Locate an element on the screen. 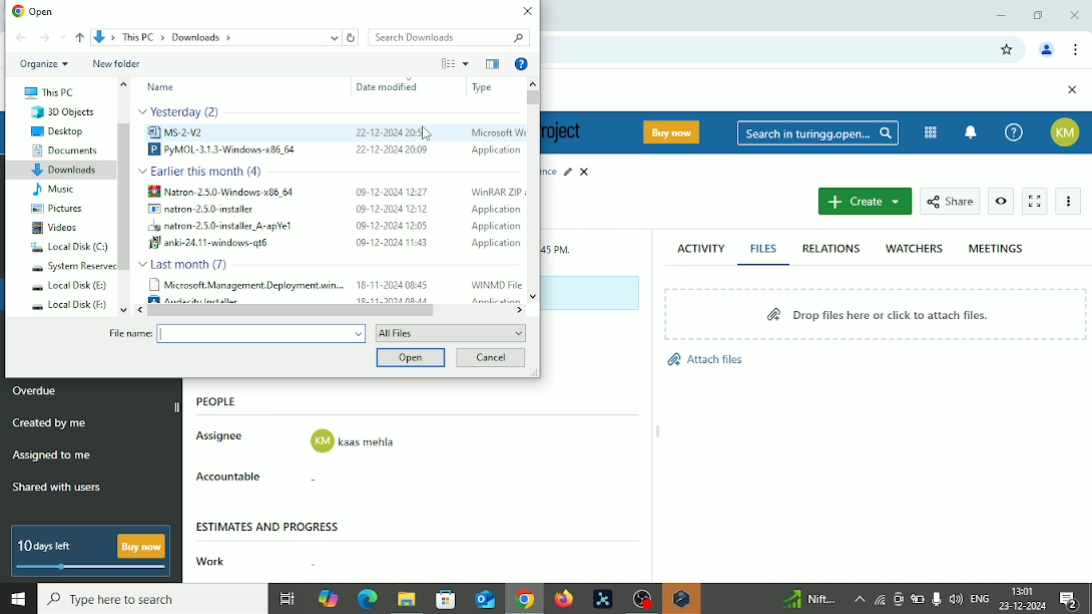  Open is located at coordinates (412, 358).